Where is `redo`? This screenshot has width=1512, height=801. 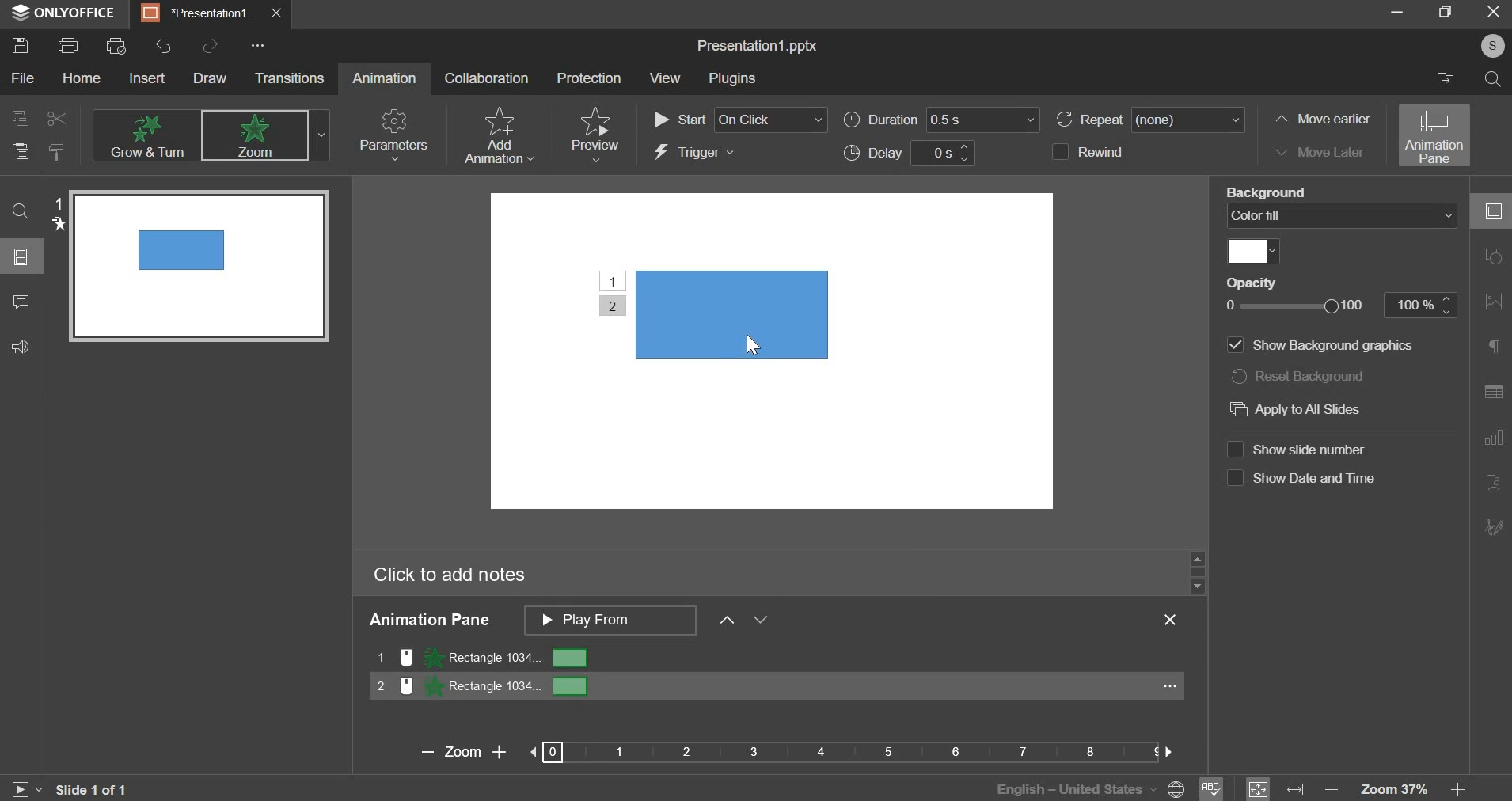
redo is located at coordinates (210, 47).